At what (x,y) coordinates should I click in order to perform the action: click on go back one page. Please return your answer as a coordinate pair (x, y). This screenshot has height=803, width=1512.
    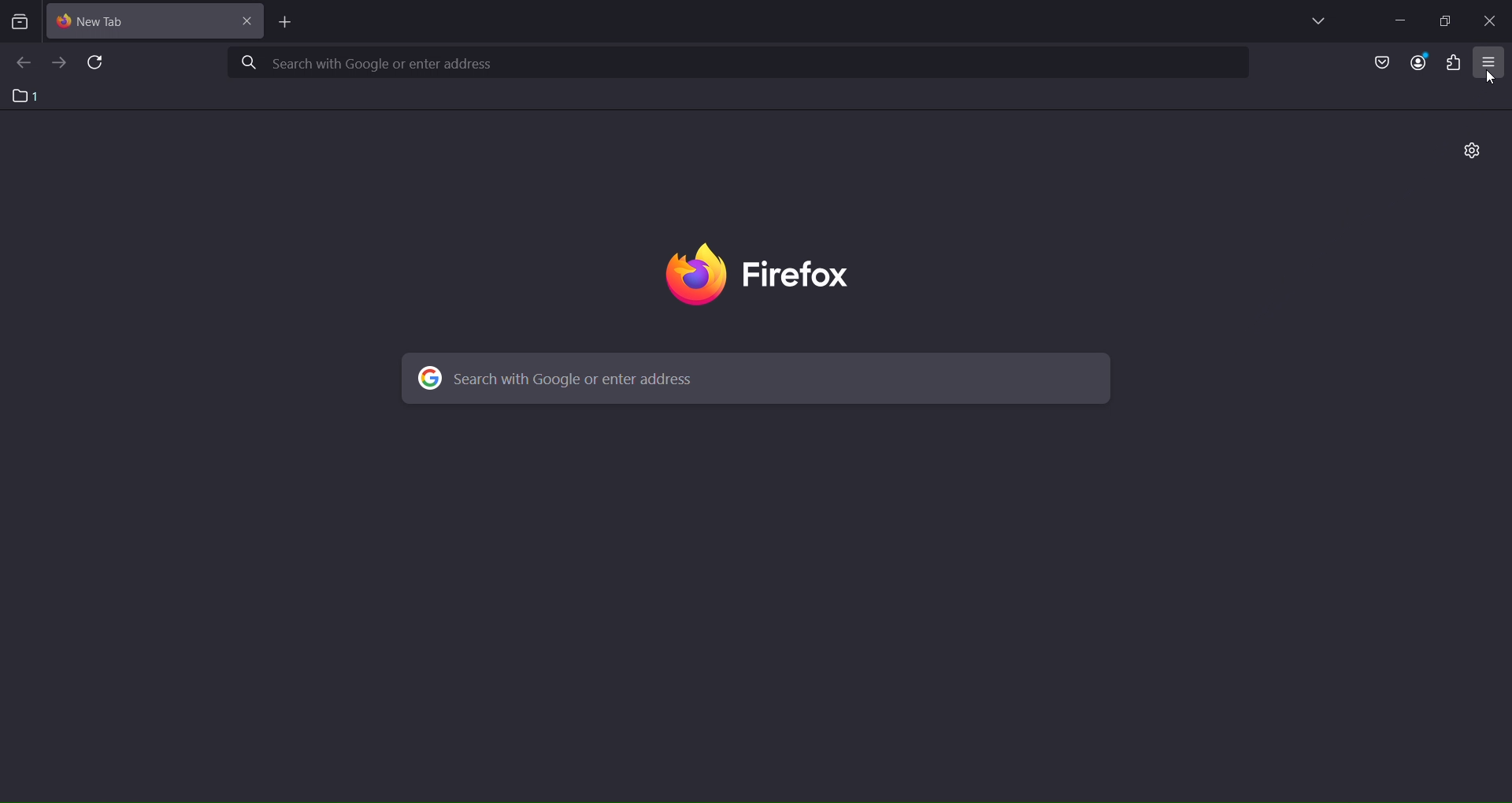
    Looking at the image, I should click on (22, 62).